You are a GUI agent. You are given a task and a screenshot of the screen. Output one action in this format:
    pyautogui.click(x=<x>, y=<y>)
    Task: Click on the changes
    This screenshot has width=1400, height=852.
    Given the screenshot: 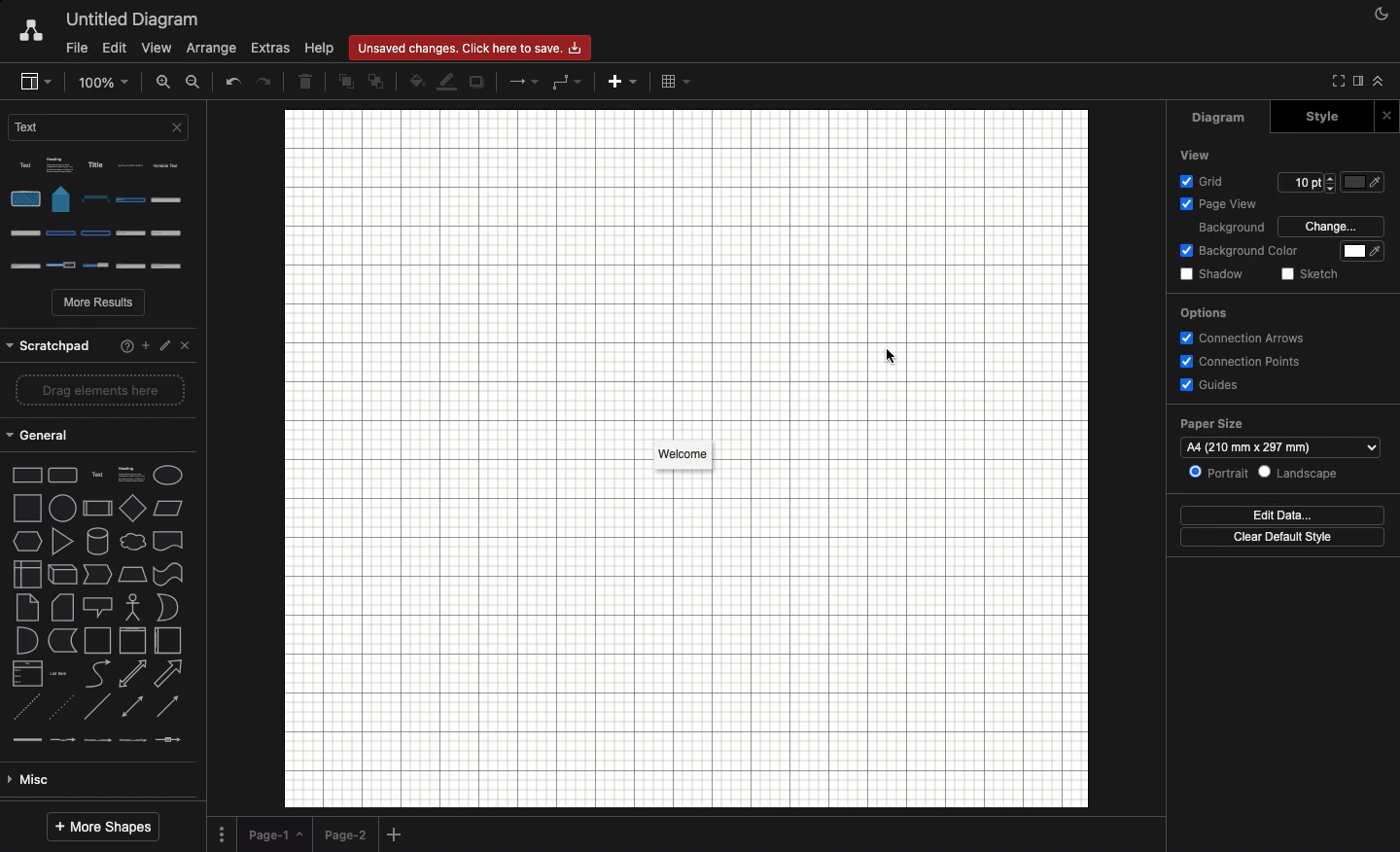 What is the action you would take?
    pyautogui.click(x=475, y=47)
    